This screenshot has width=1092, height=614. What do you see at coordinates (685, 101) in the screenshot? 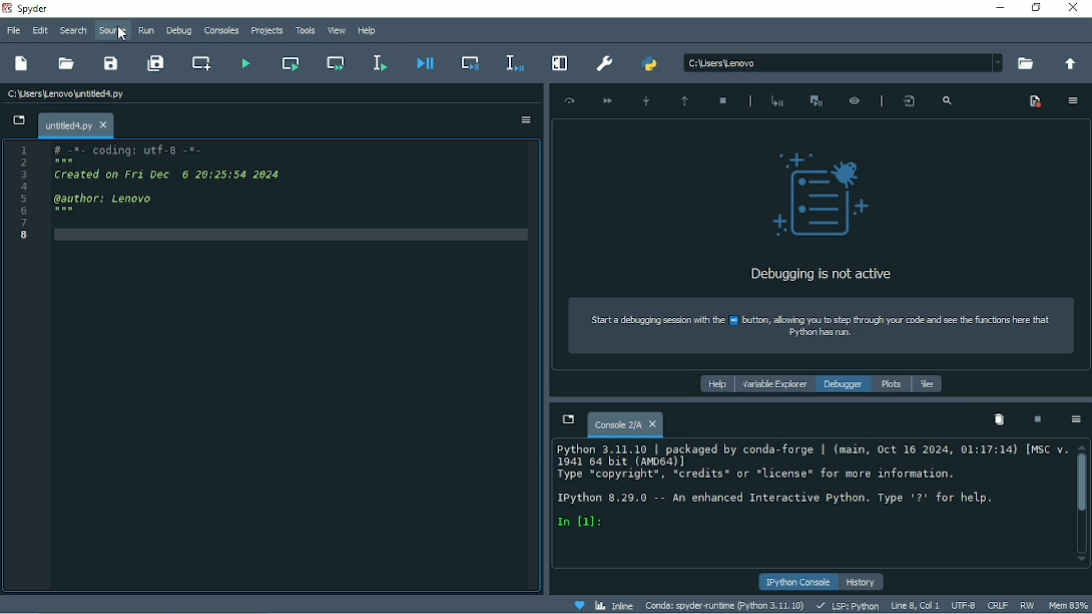
I see `Execute until function or method returns ` at bounding box center [685, 101].